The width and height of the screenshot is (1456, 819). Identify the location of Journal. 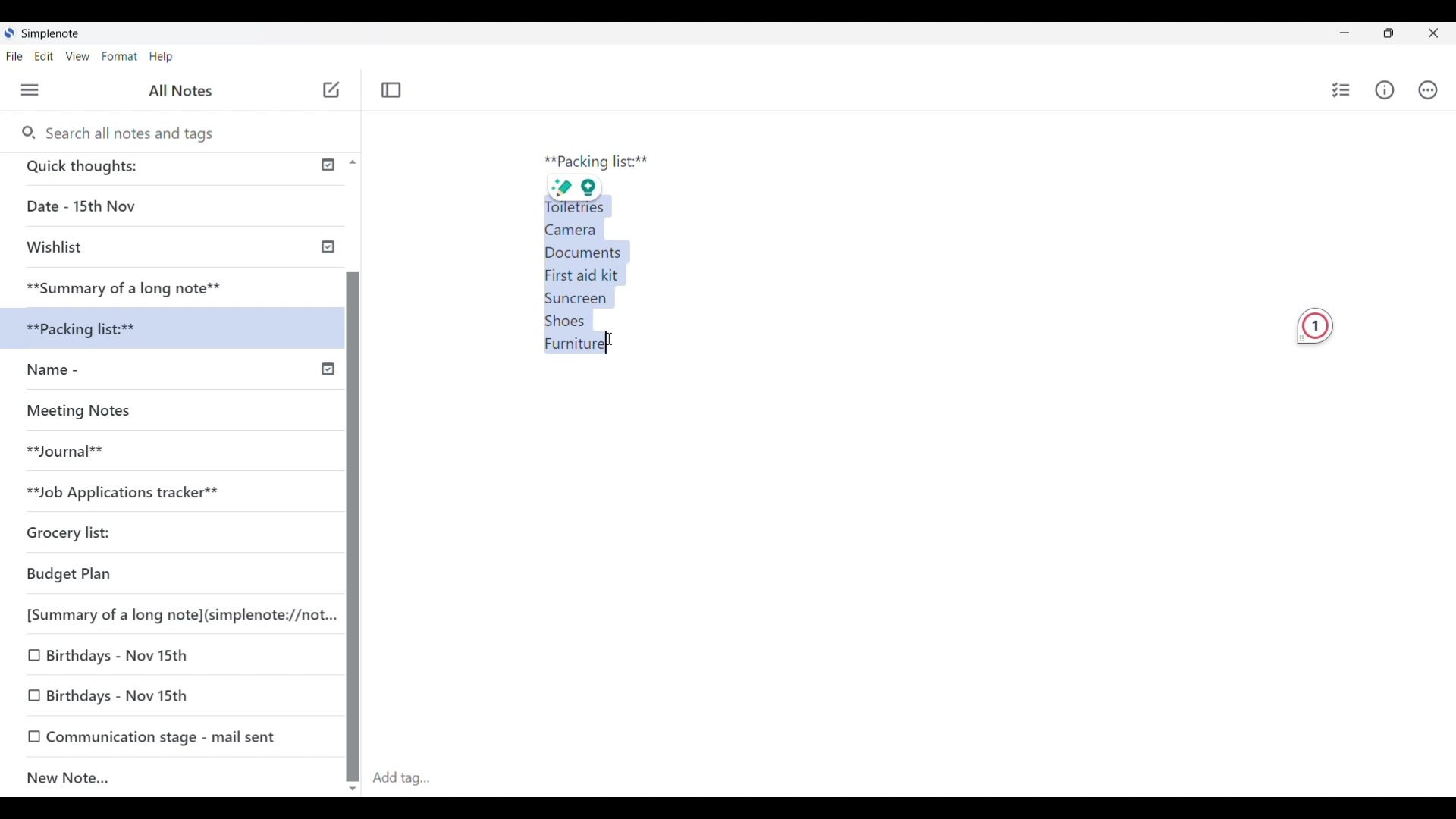
(83, 457).